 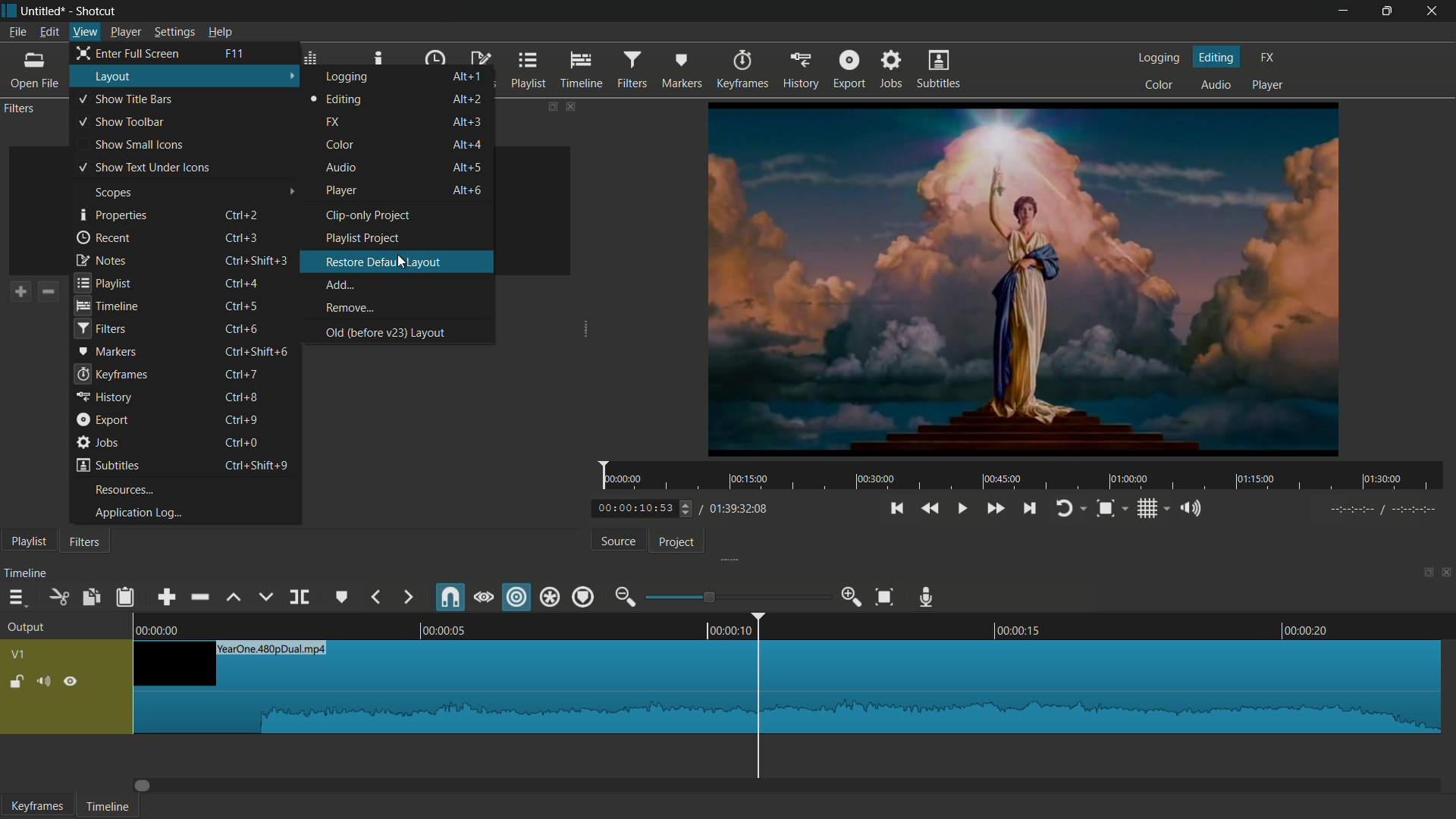 What do you see at coordinates (341, 285) in the screenshot?
I see `add remove` at bounding box center [341, 285].